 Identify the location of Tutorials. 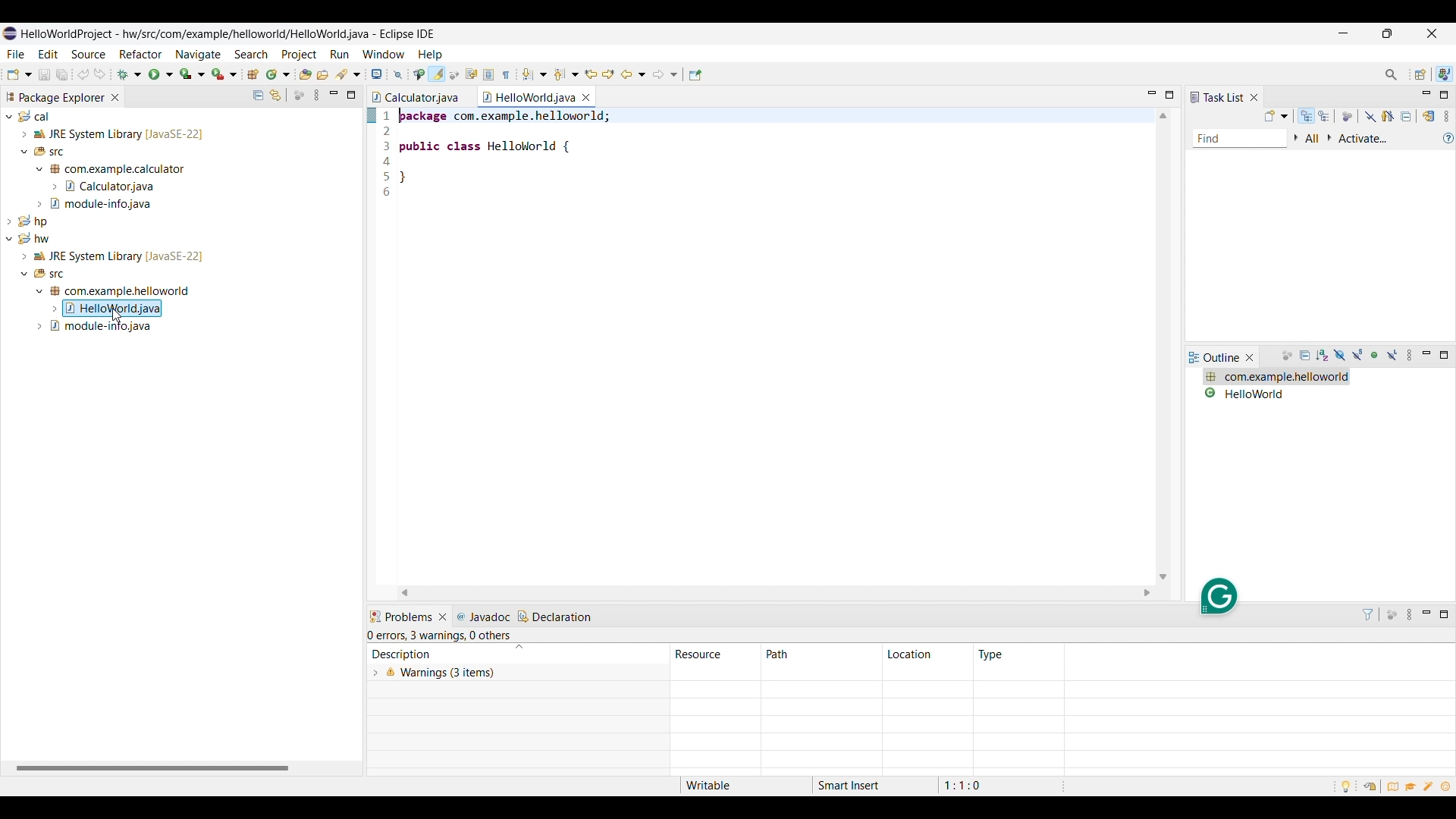
(1412, 788).